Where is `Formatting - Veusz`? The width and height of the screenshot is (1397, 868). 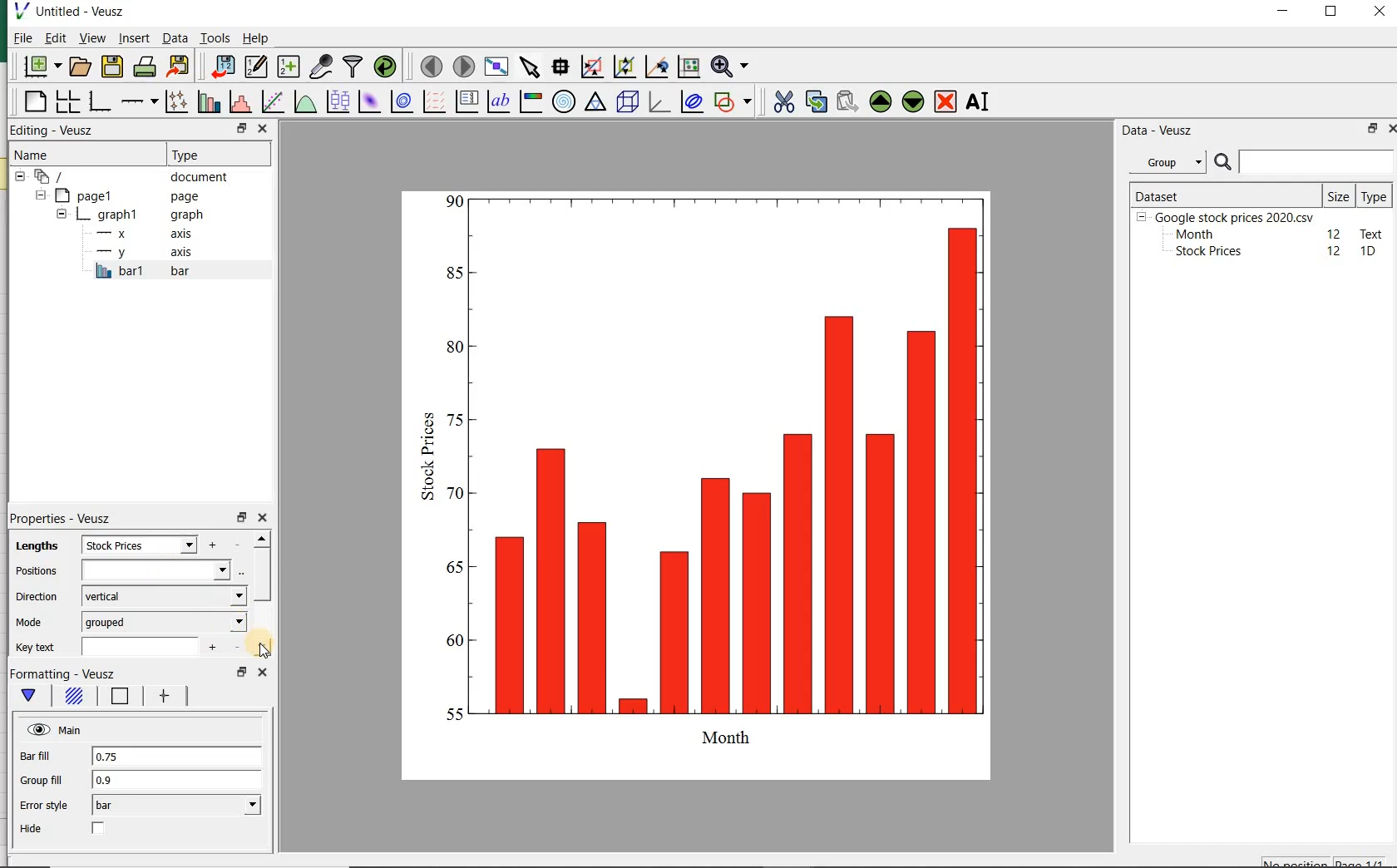 Formatting - Veusz is located at coordinates (67, 672).